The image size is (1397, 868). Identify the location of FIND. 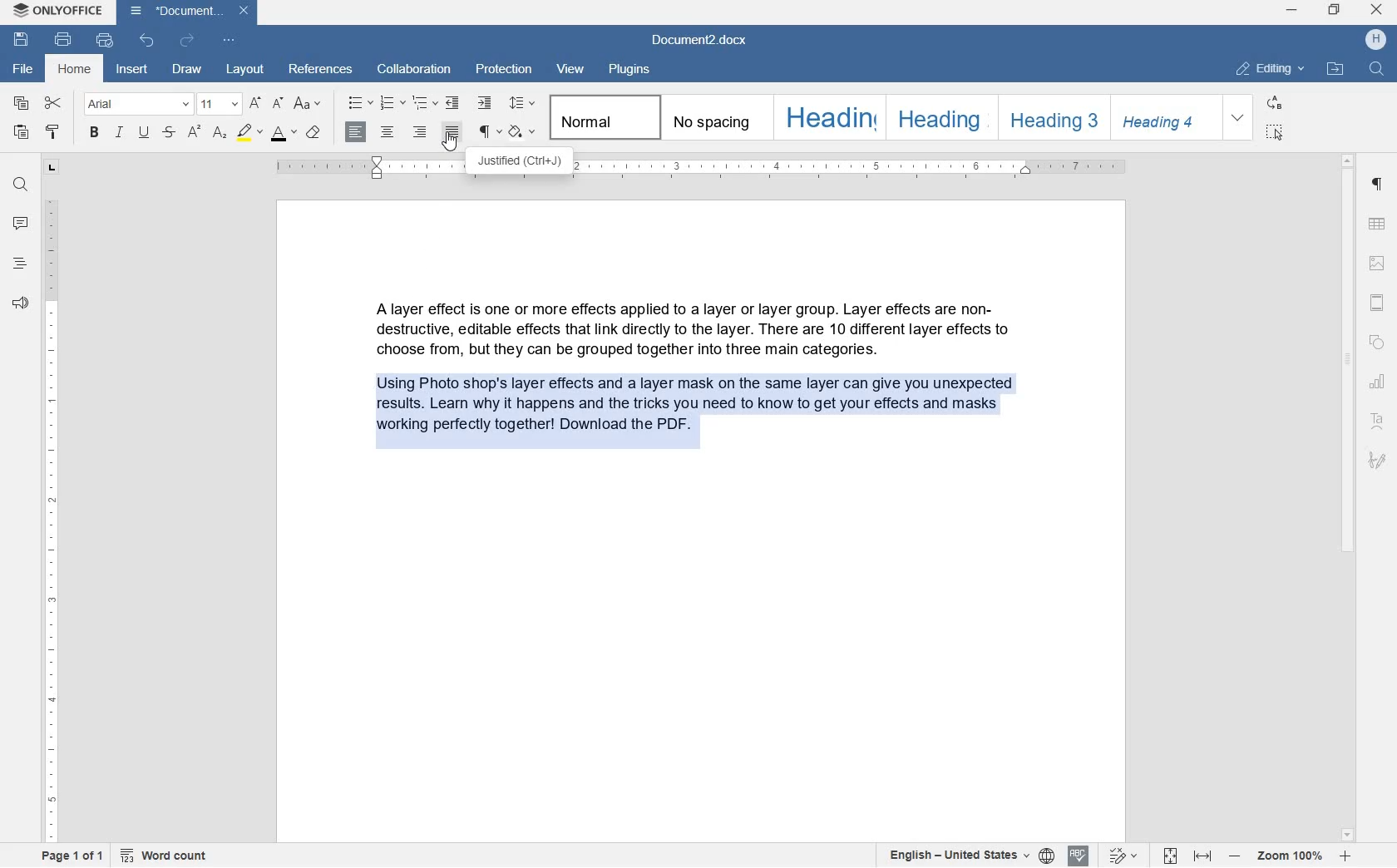
(1377, 70).